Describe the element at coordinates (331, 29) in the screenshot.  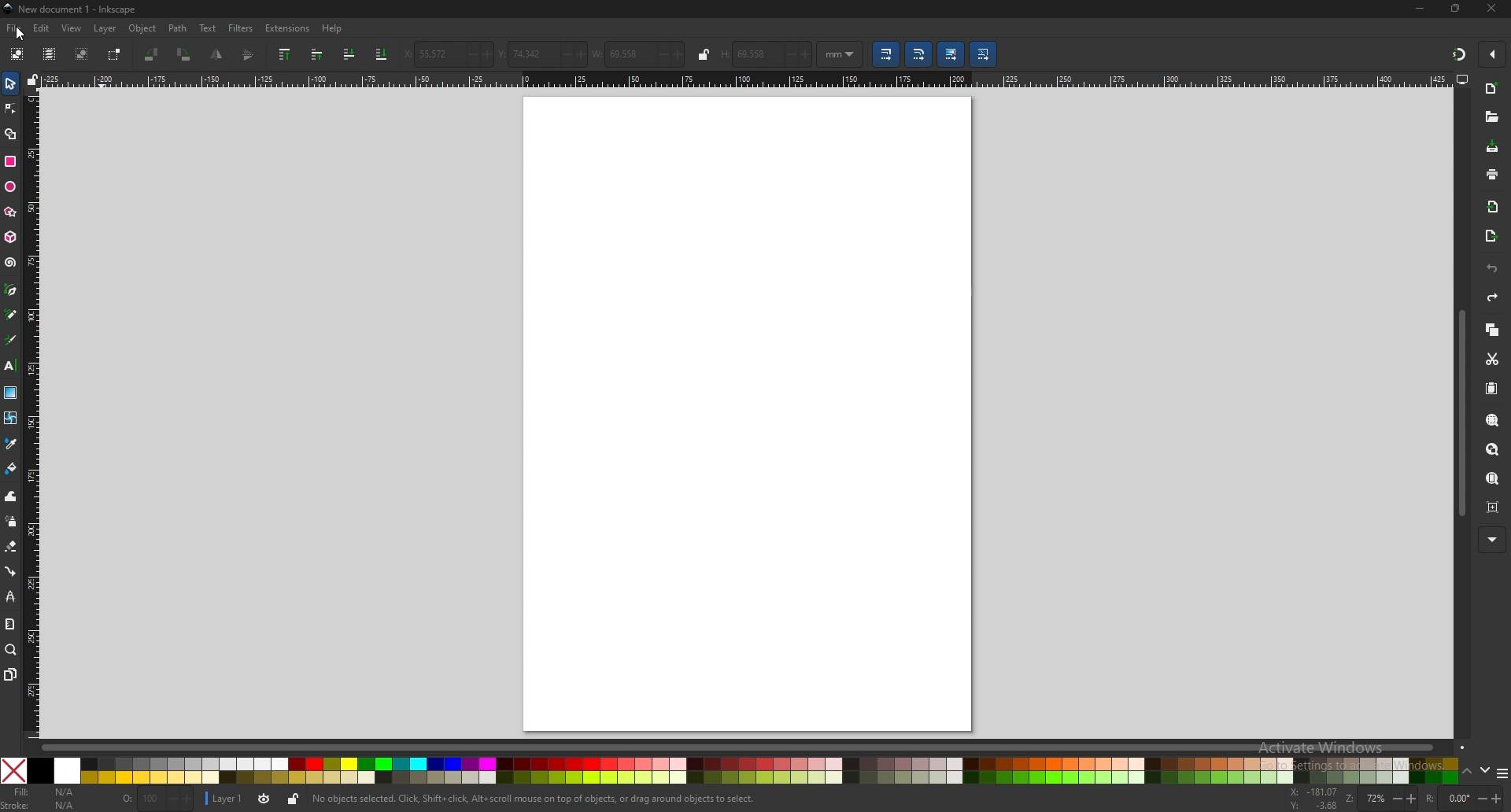
I see `help` at that location.